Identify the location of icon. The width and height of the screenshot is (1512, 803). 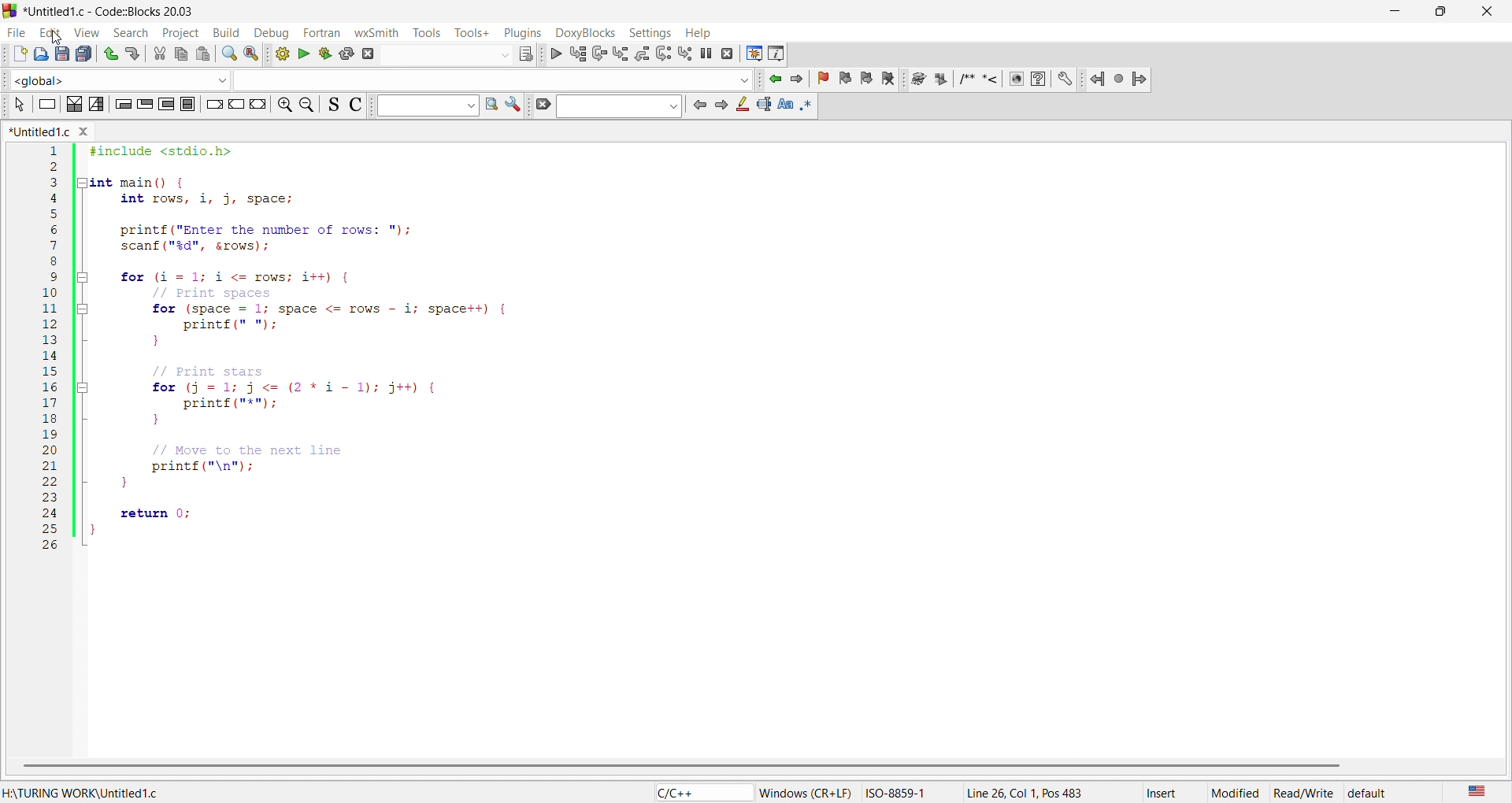
(697, 105).